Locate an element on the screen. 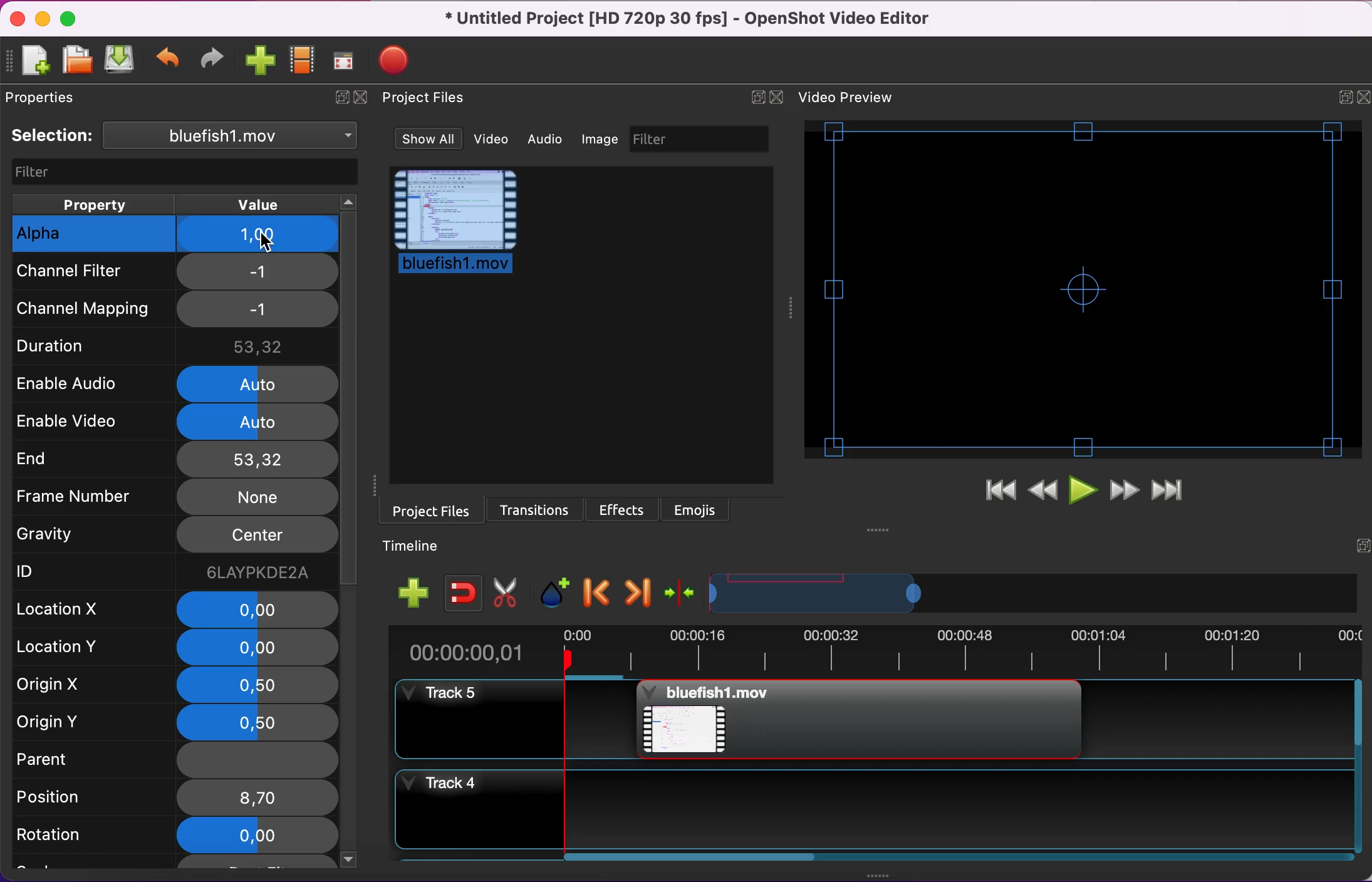 The image size is (1372, 882). maximize is located at coordinates (72, 22).